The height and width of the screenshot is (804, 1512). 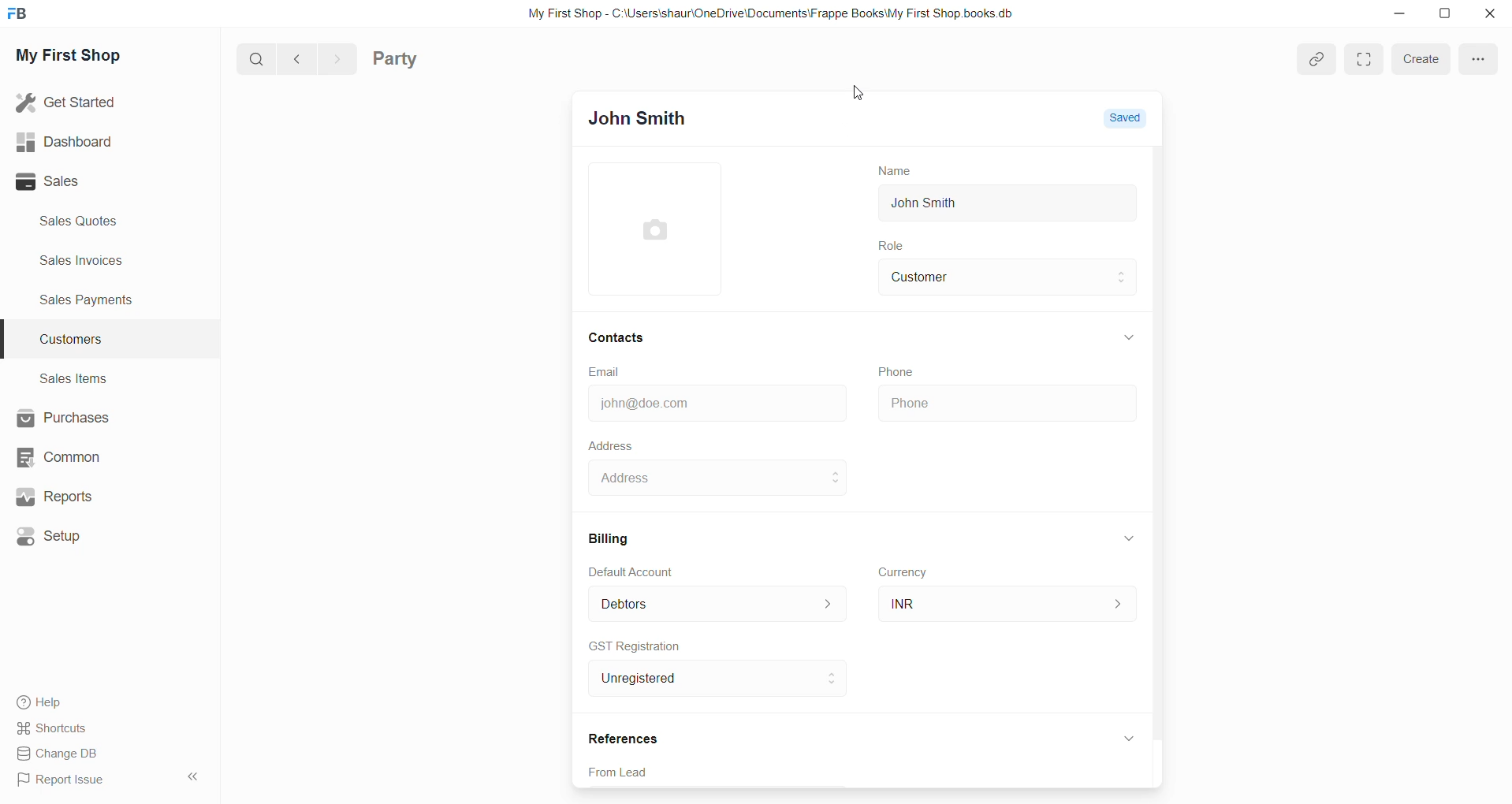 What do you see at coordinates (53, 728) in the screenshot?
I see `Shortcuts` at bounding box center [53, 728].